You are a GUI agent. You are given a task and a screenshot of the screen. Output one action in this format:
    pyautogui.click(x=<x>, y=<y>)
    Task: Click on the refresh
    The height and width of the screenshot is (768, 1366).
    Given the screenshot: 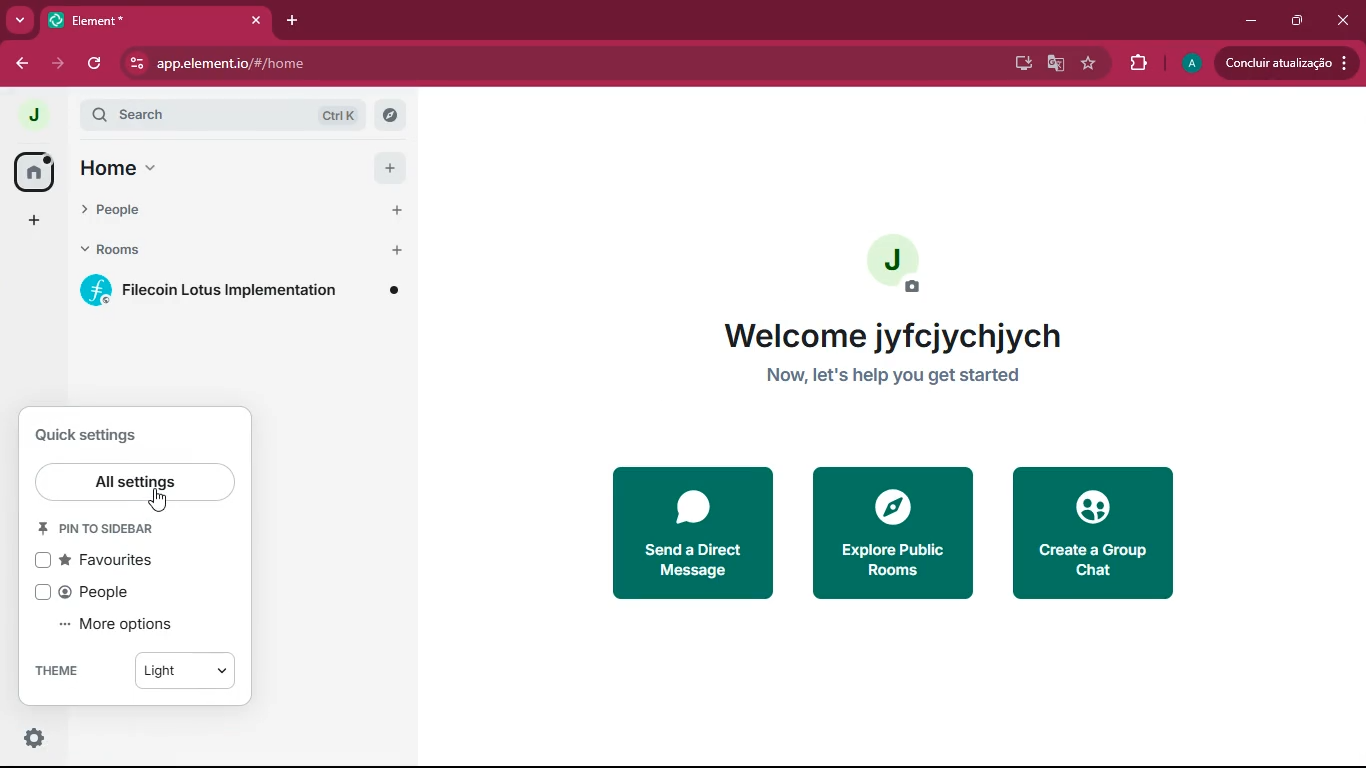 What is the action you would take?
    pyautogui.click(x=97, y=64)
    